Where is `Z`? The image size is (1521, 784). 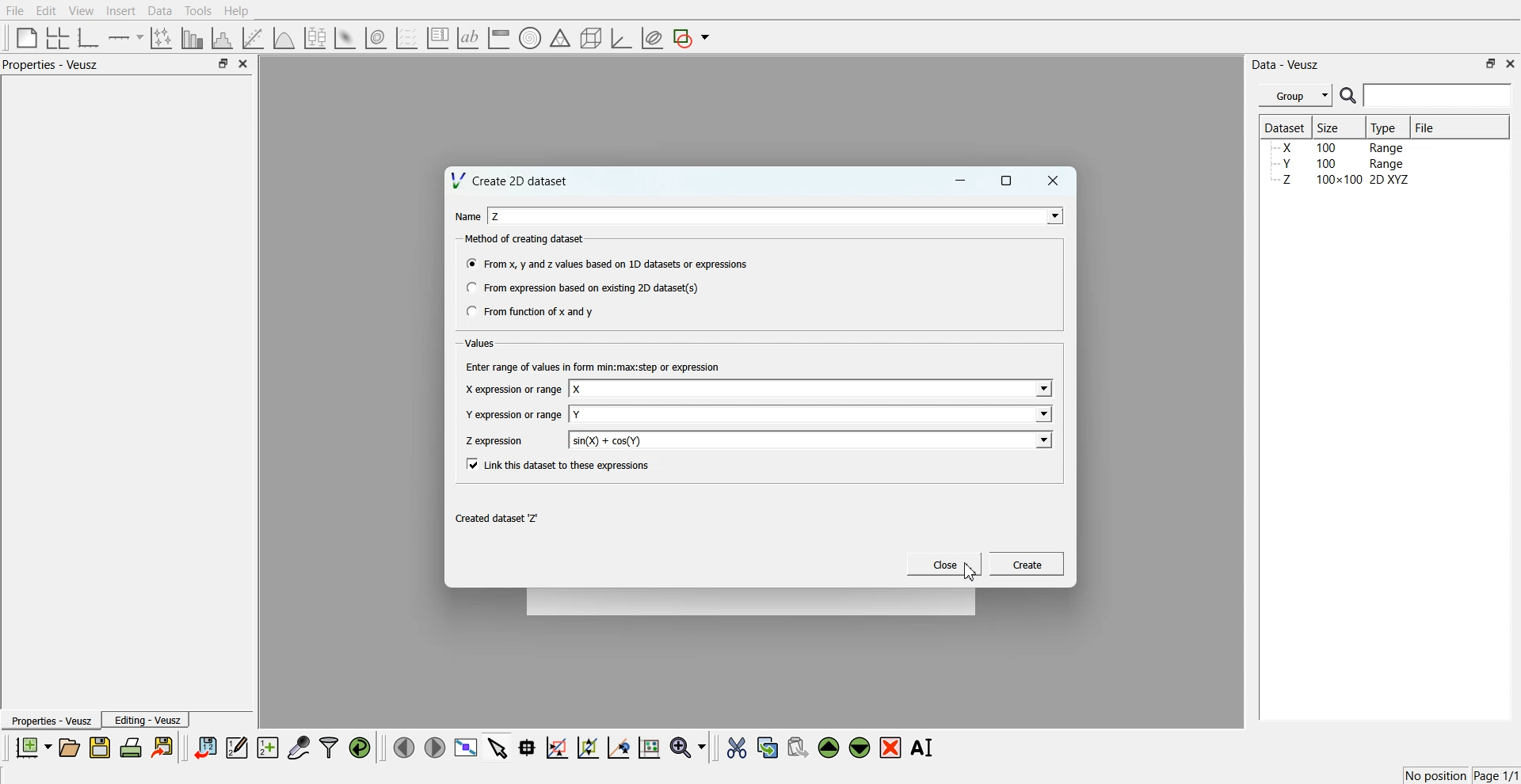 Z is located at coordinates (497, 216).